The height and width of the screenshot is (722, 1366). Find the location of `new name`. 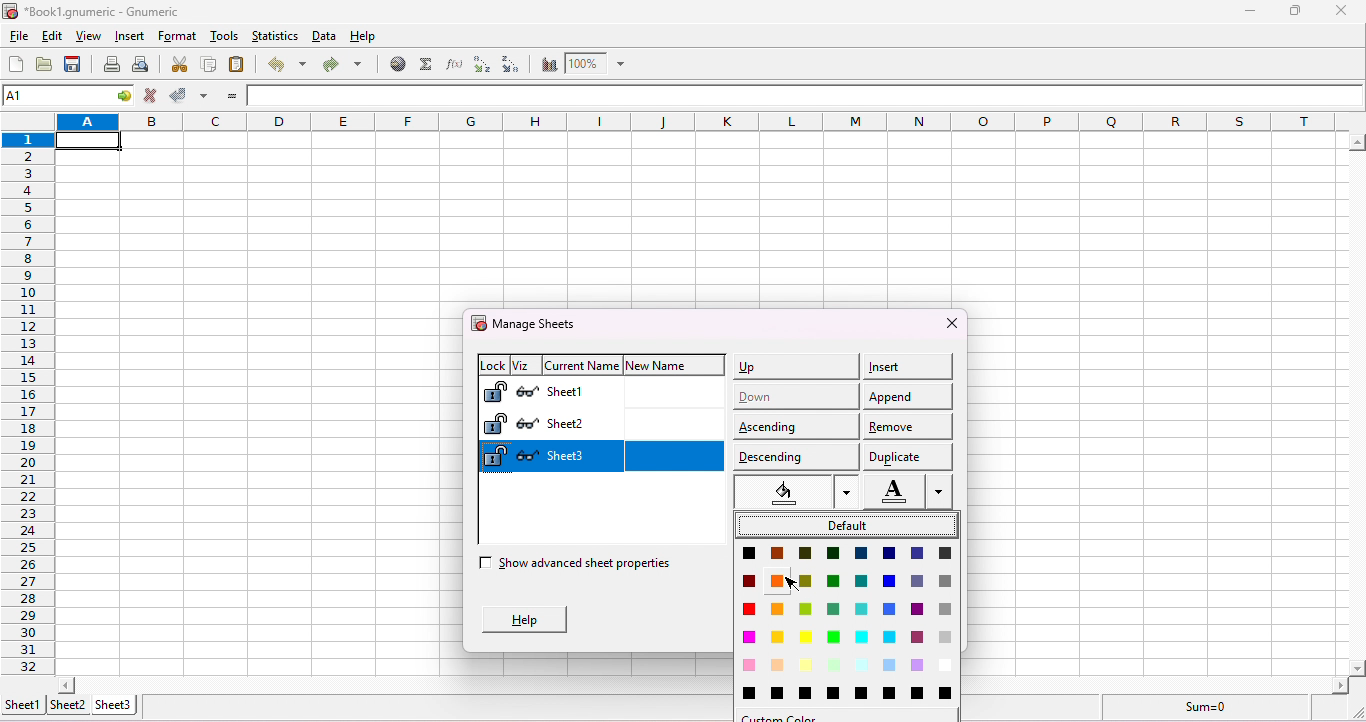

new name is located at coordinates (676, 367).